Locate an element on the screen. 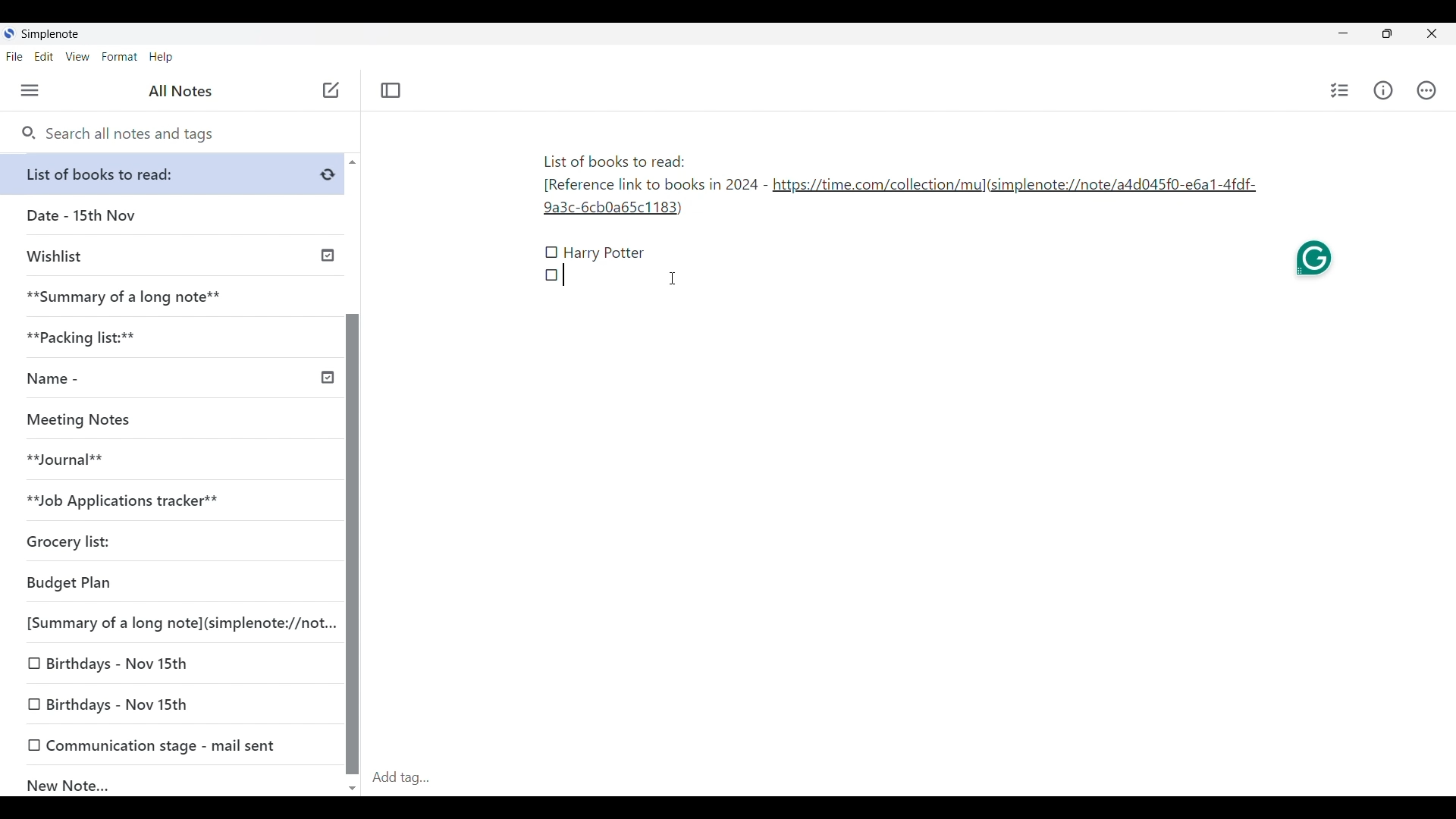  Checklist as markdown is located at coordinates (551, 275).